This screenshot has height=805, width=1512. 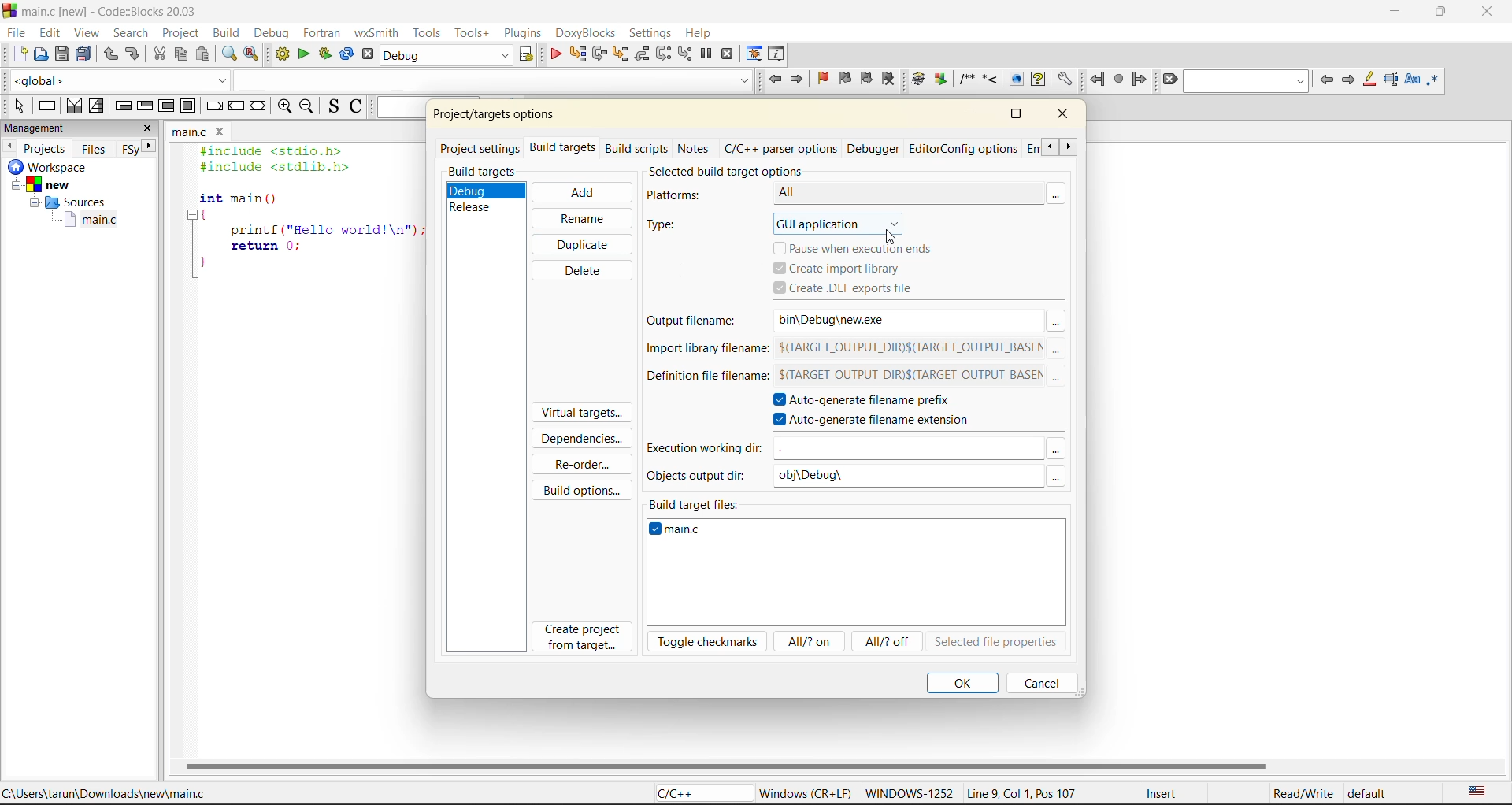 I want to click on scroll front, so click(x=1069, y=149).